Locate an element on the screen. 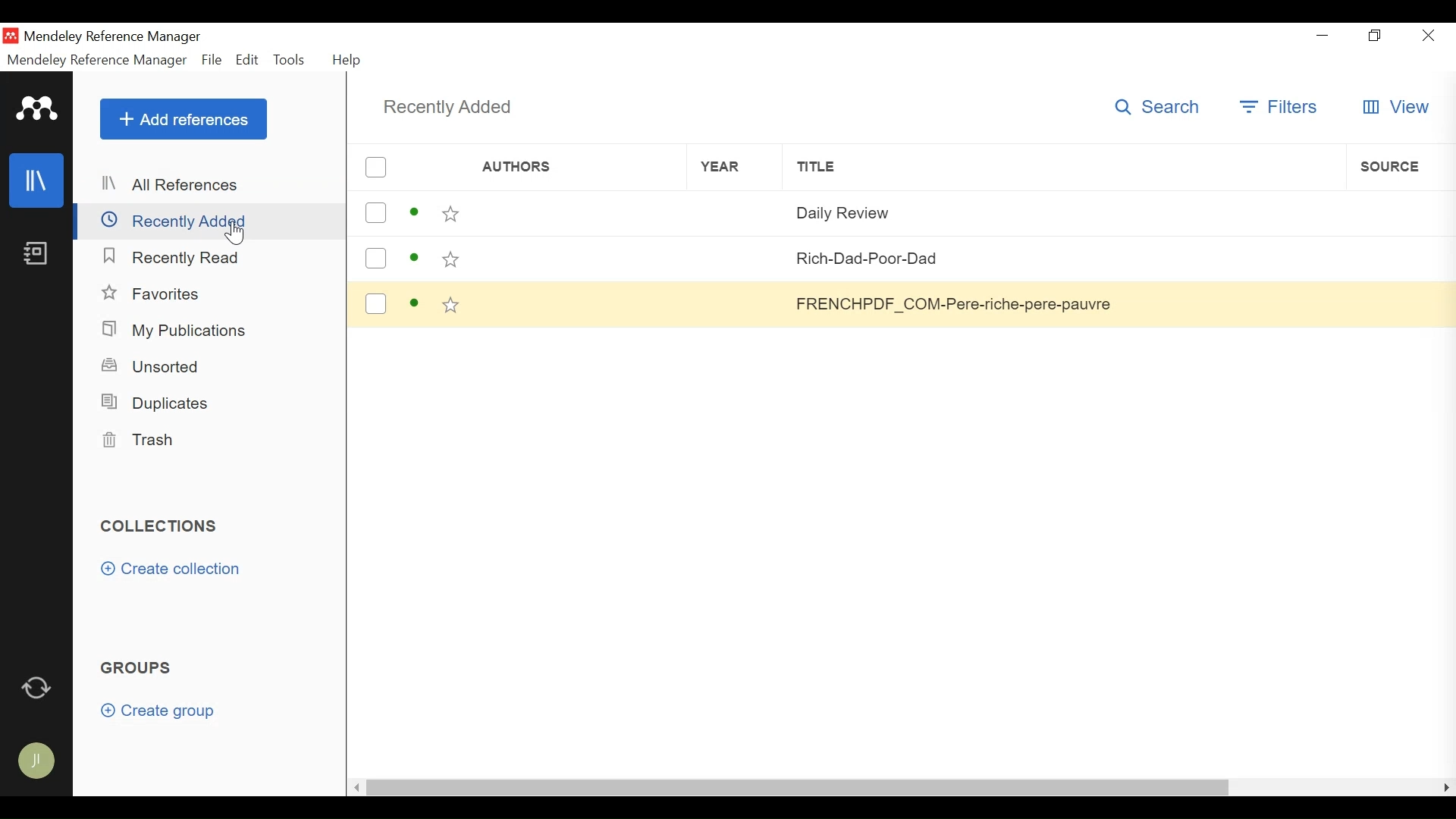  Recently Added is located at coordinates (447, 107).